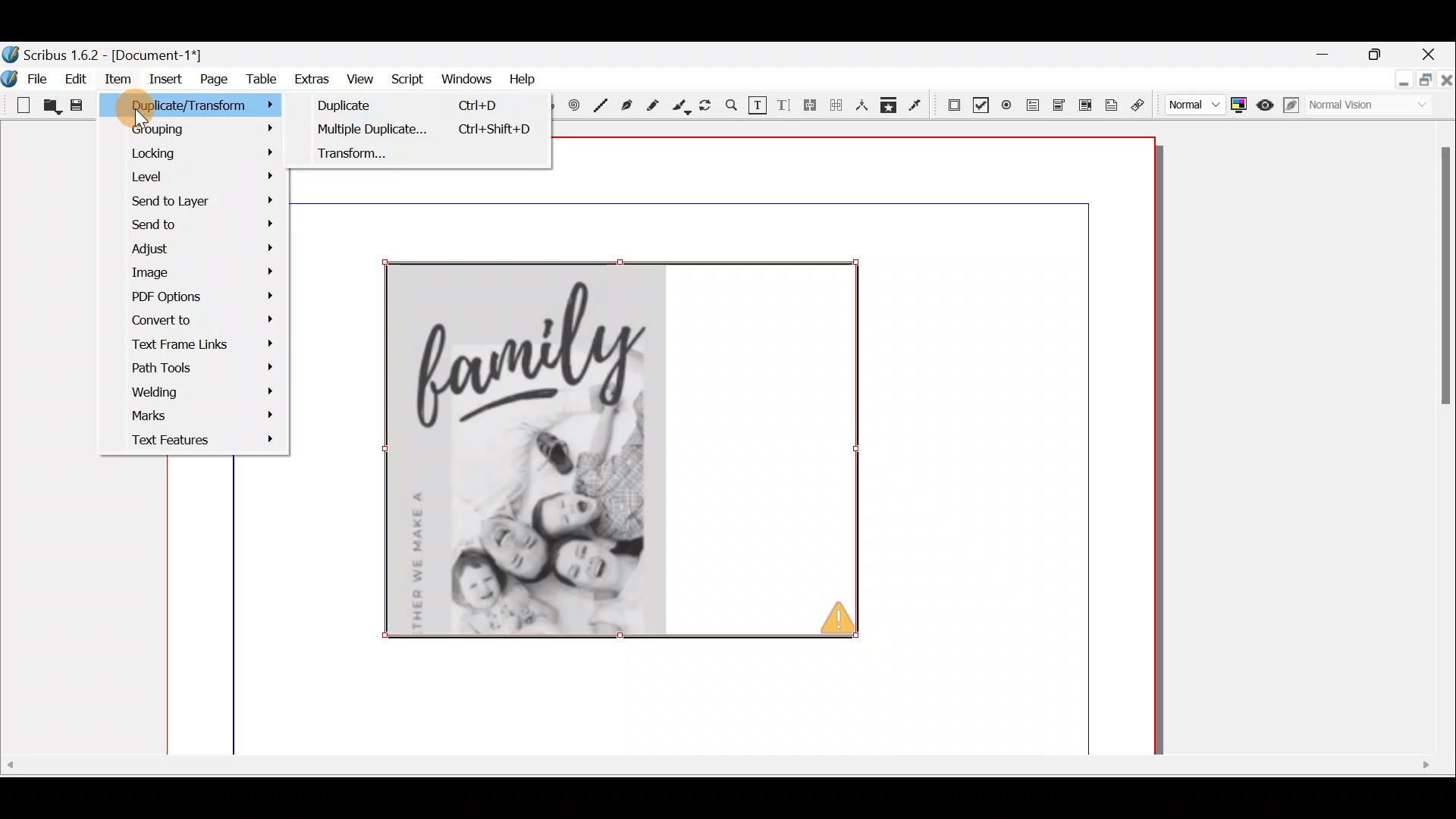 This screenshot has width=1456, height=819. Describe the element at coordinates (199, 176) in the screenshot. I see `Level` at that location.